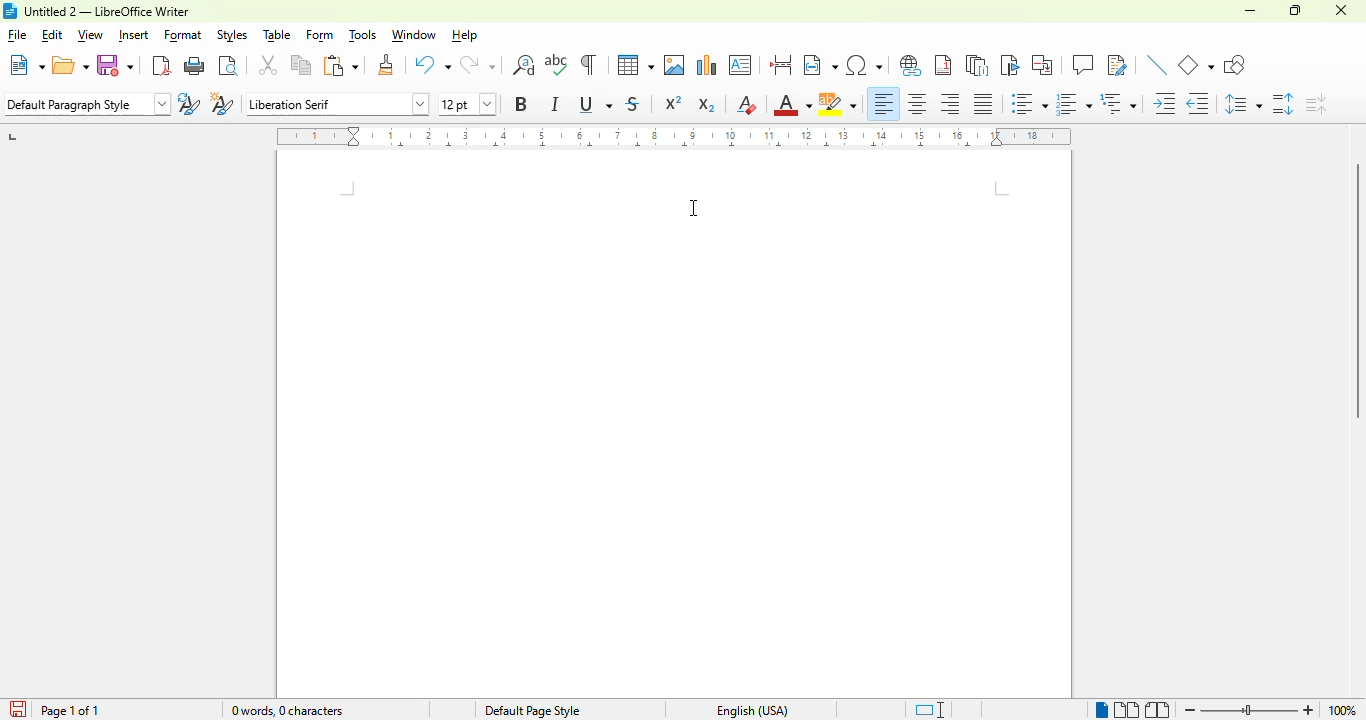 This screenshot has height=720, width=1366. Describe the element at coordinates (779, 64) in the screenshot. I see `insert page break` at that location.